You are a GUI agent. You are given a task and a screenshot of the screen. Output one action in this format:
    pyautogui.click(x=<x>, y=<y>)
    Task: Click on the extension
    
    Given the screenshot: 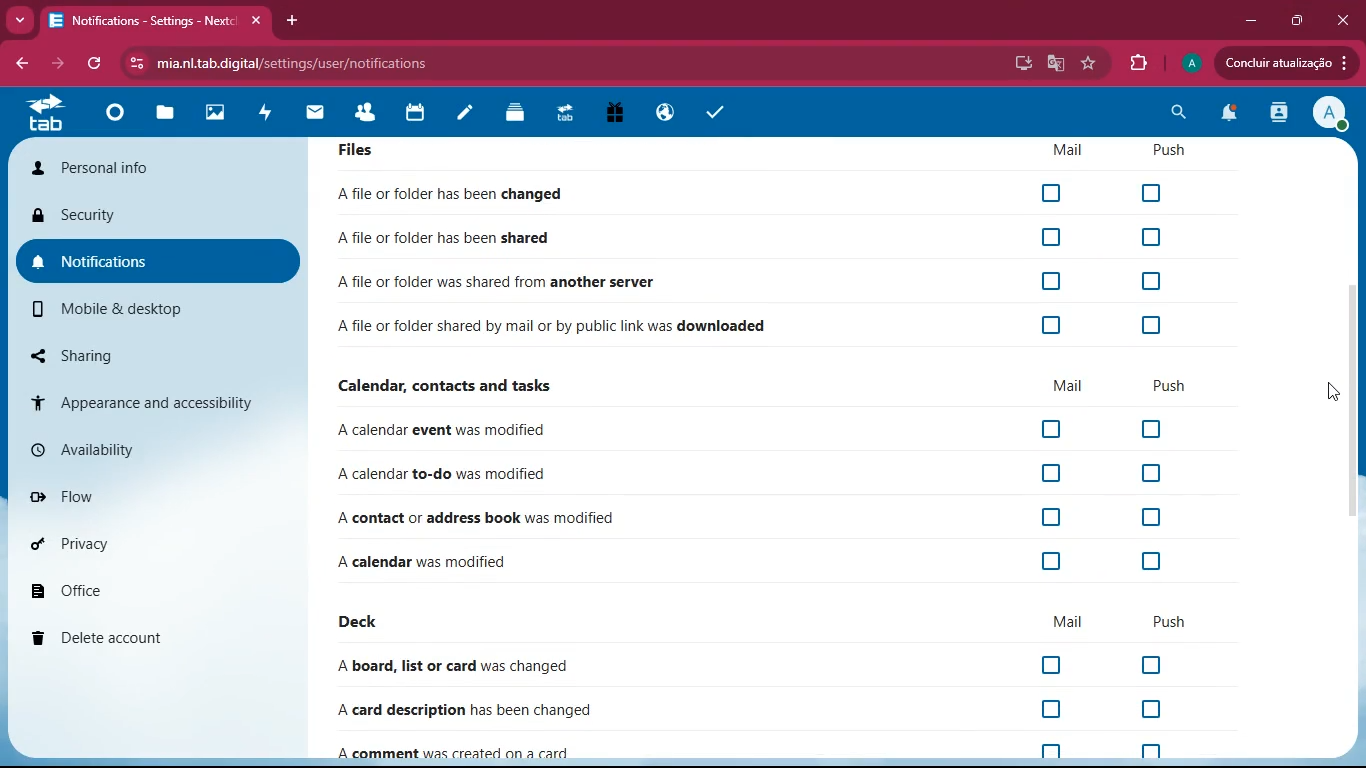 What is the action you would take?
    pyautogui.click(x=1138, y=60)
    